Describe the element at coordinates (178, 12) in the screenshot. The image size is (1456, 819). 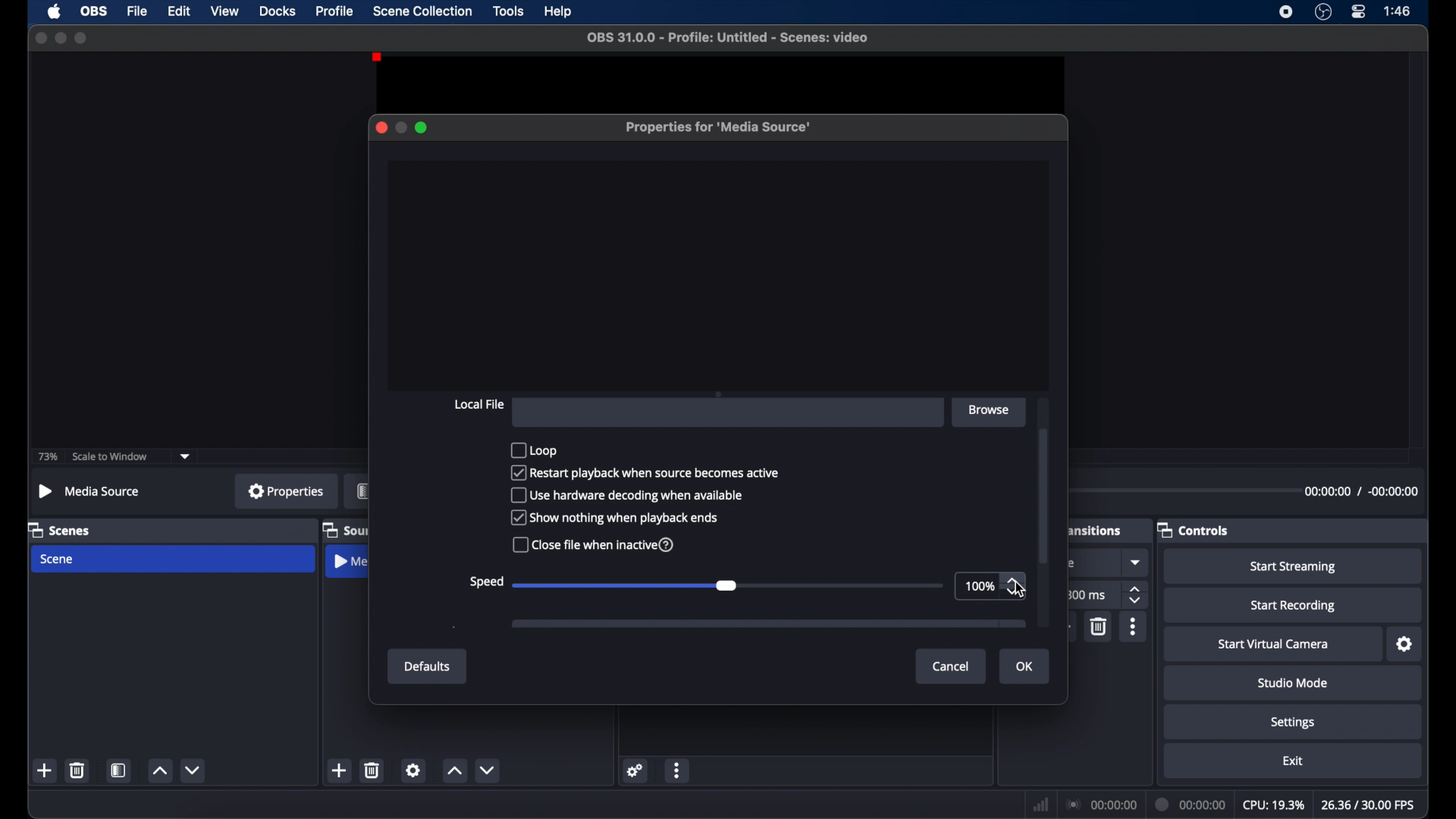
I see `edit` at that location.